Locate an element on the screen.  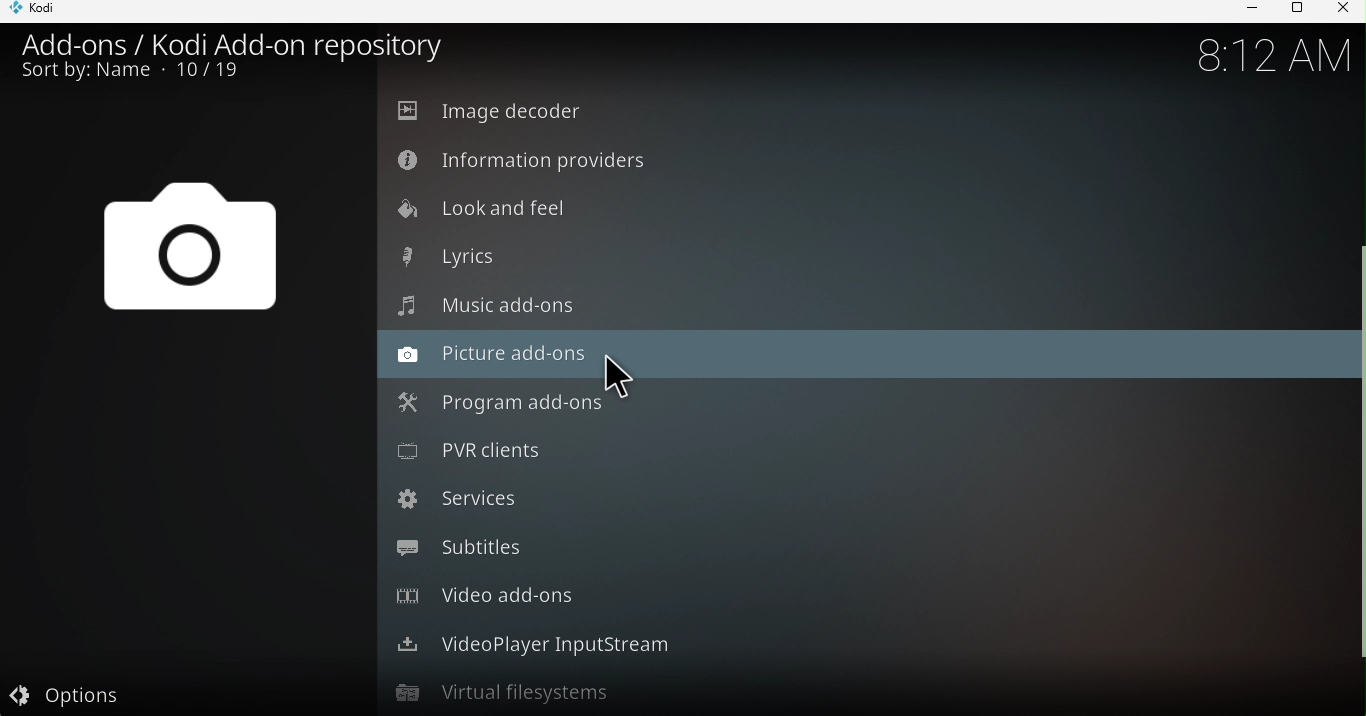
cursor is located at coordinates (618, 381).